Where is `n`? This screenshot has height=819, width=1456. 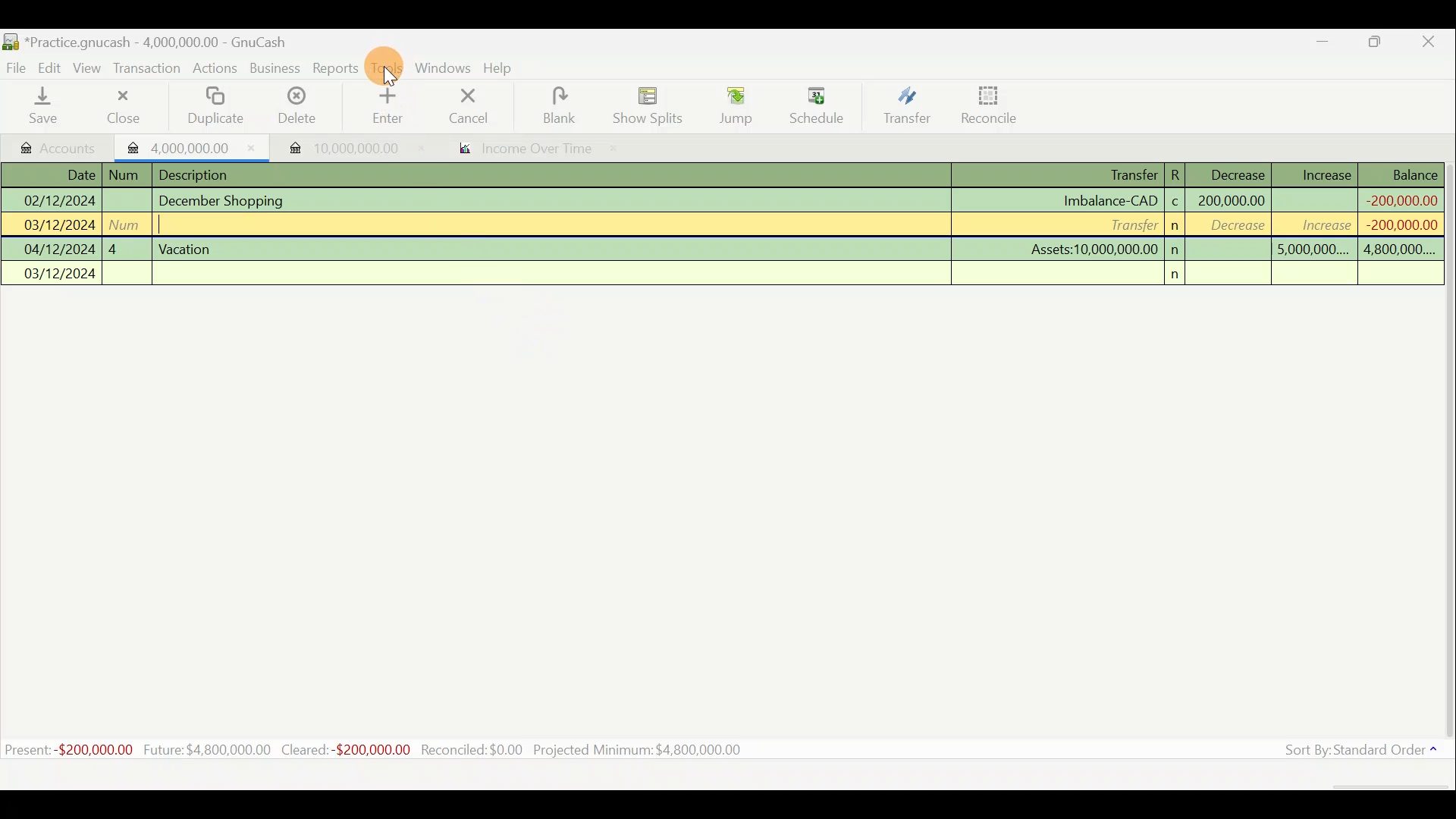
n is located at coordinates (1180, 275).